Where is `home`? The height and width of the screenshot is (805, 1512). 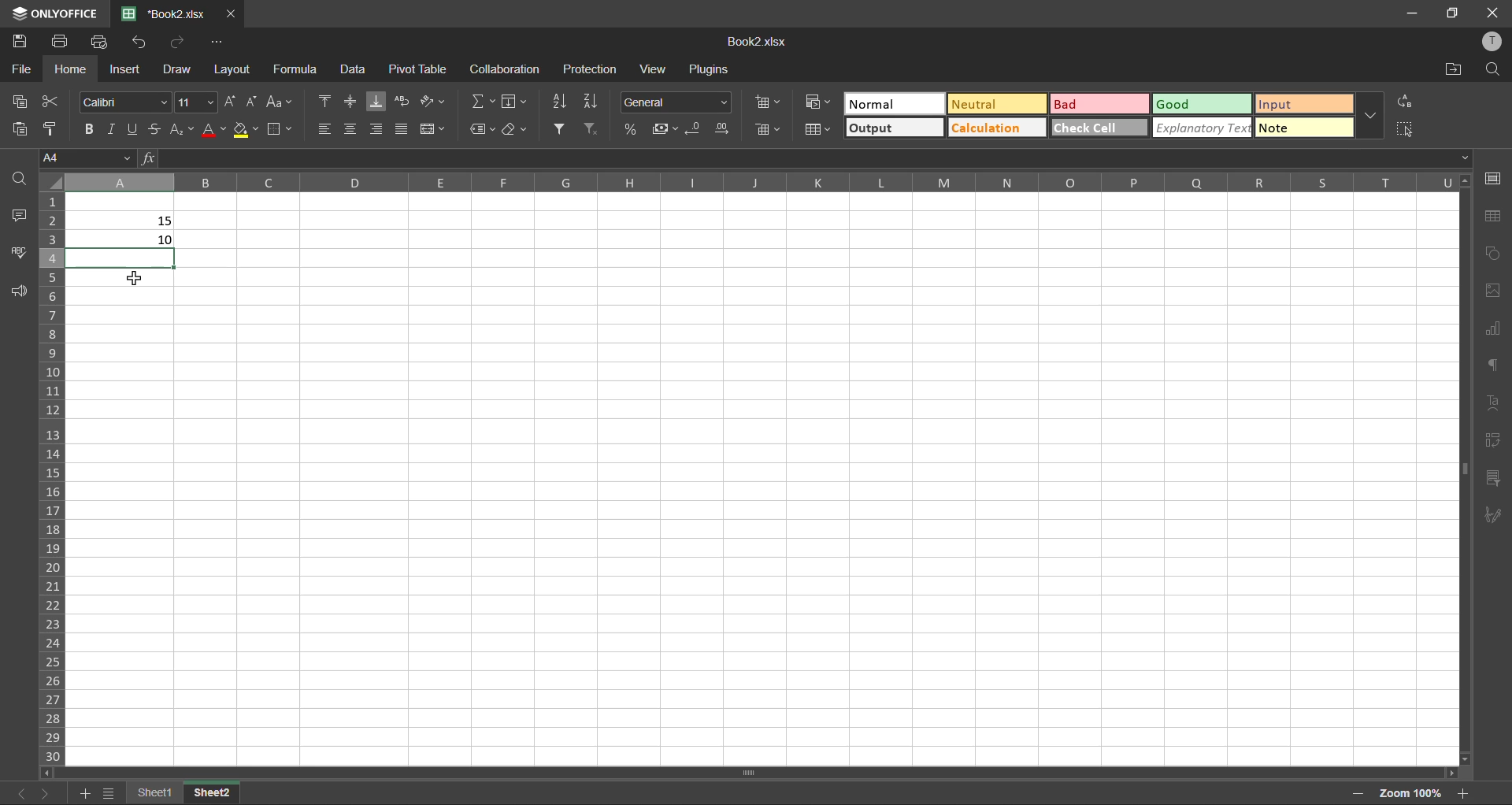
home is located at coordinates (71, 69).